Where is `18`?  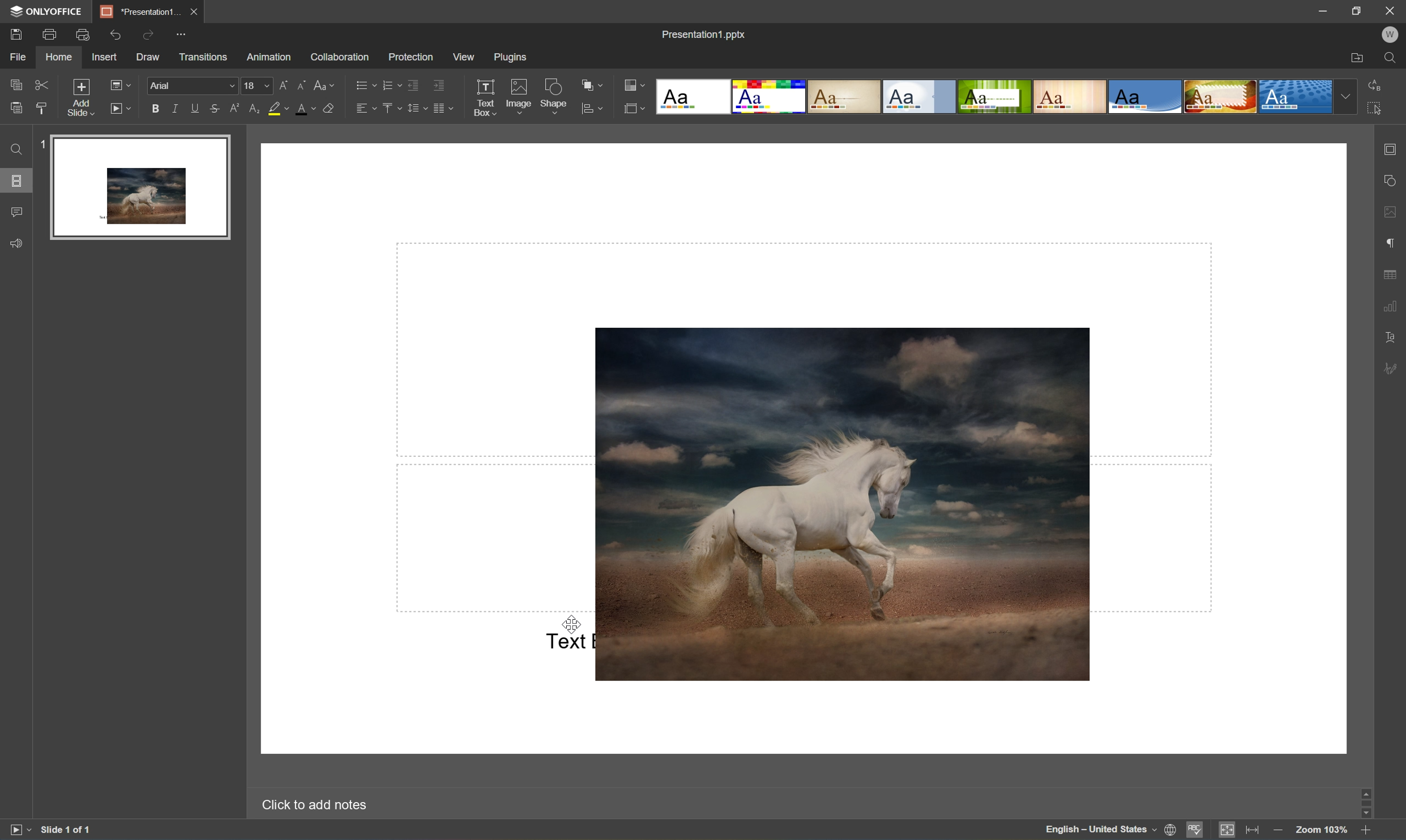 18 is located at coordinates (257, 86).